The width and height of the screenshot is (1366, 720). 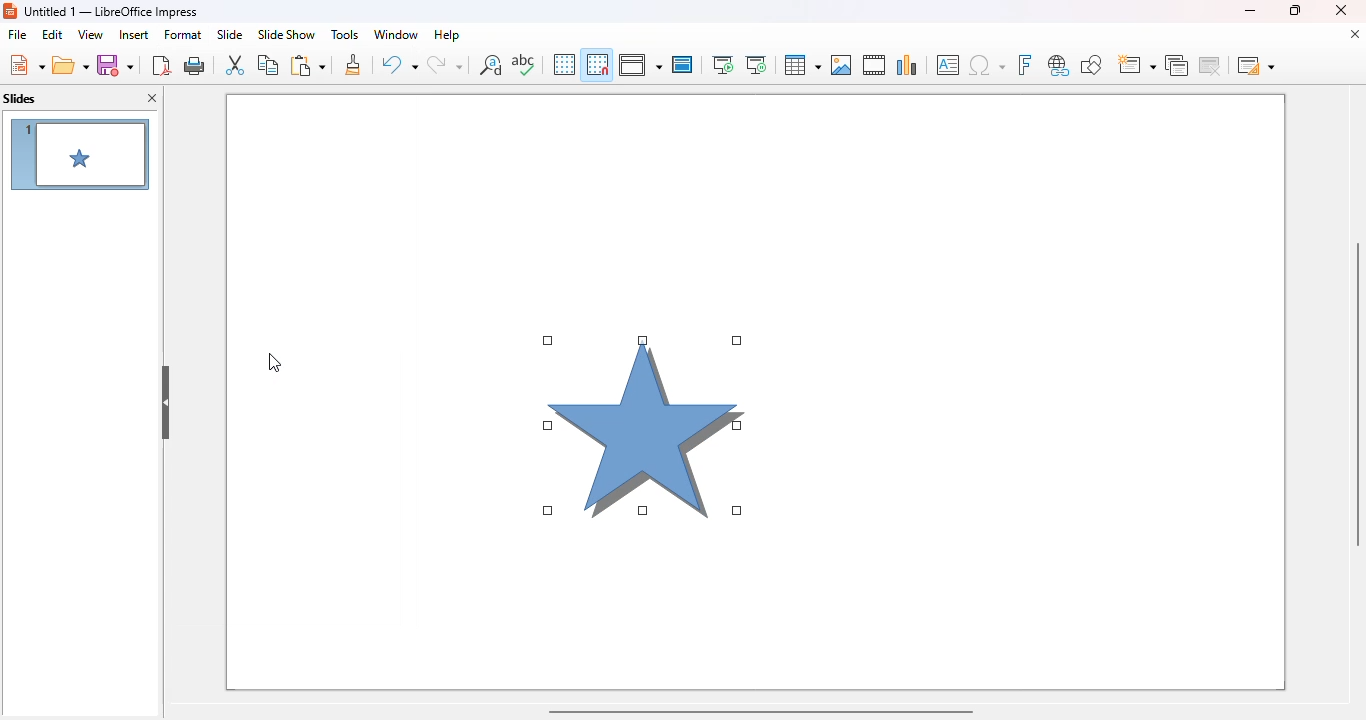 What do you see at coordinates (987, 65) in the screenshot?
I see `insert special characters` at bounding box center [987, 65].